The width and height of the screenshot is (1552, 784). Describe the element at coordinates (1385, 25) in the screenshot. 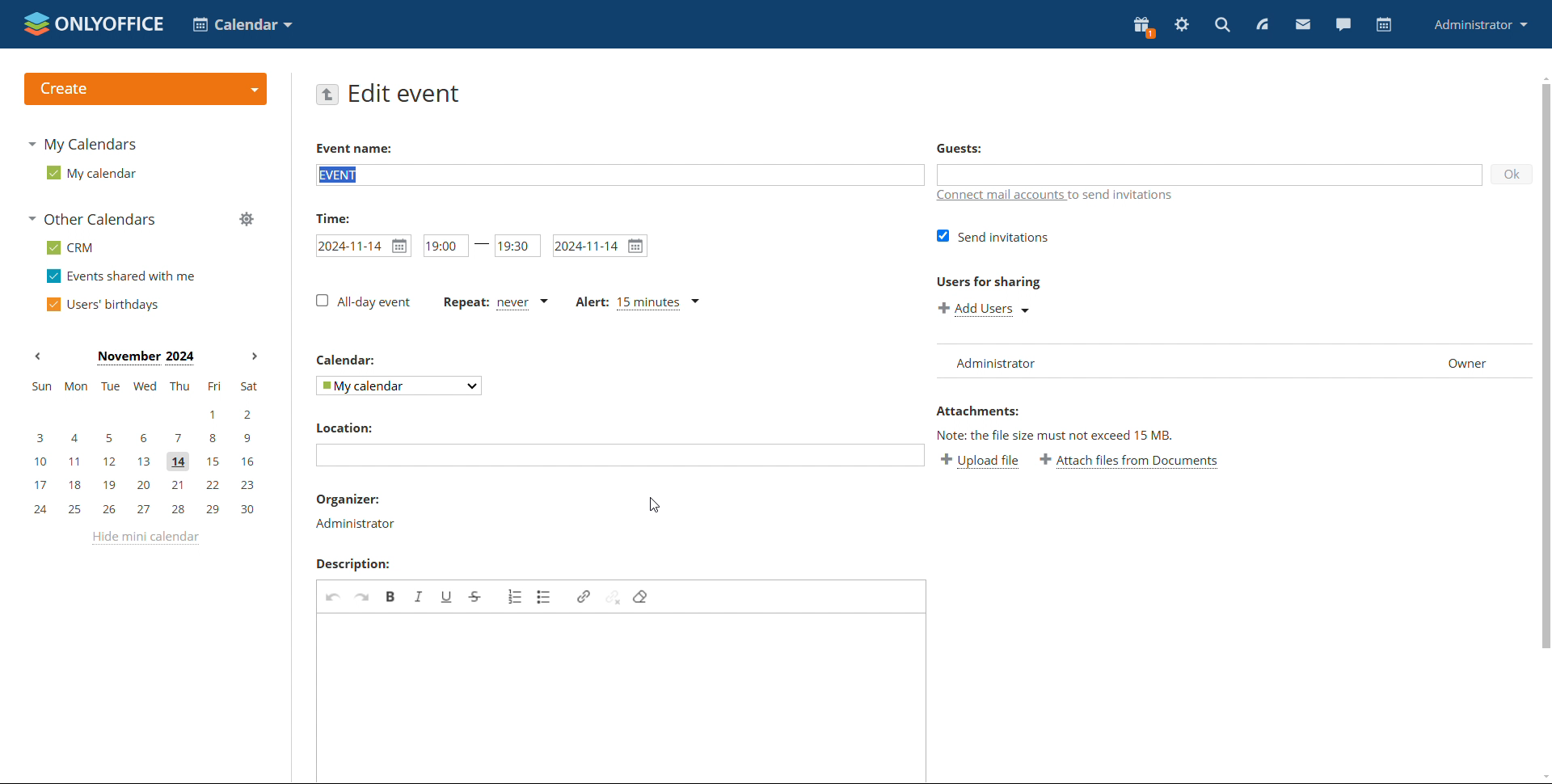

I see `calendar` at that location.